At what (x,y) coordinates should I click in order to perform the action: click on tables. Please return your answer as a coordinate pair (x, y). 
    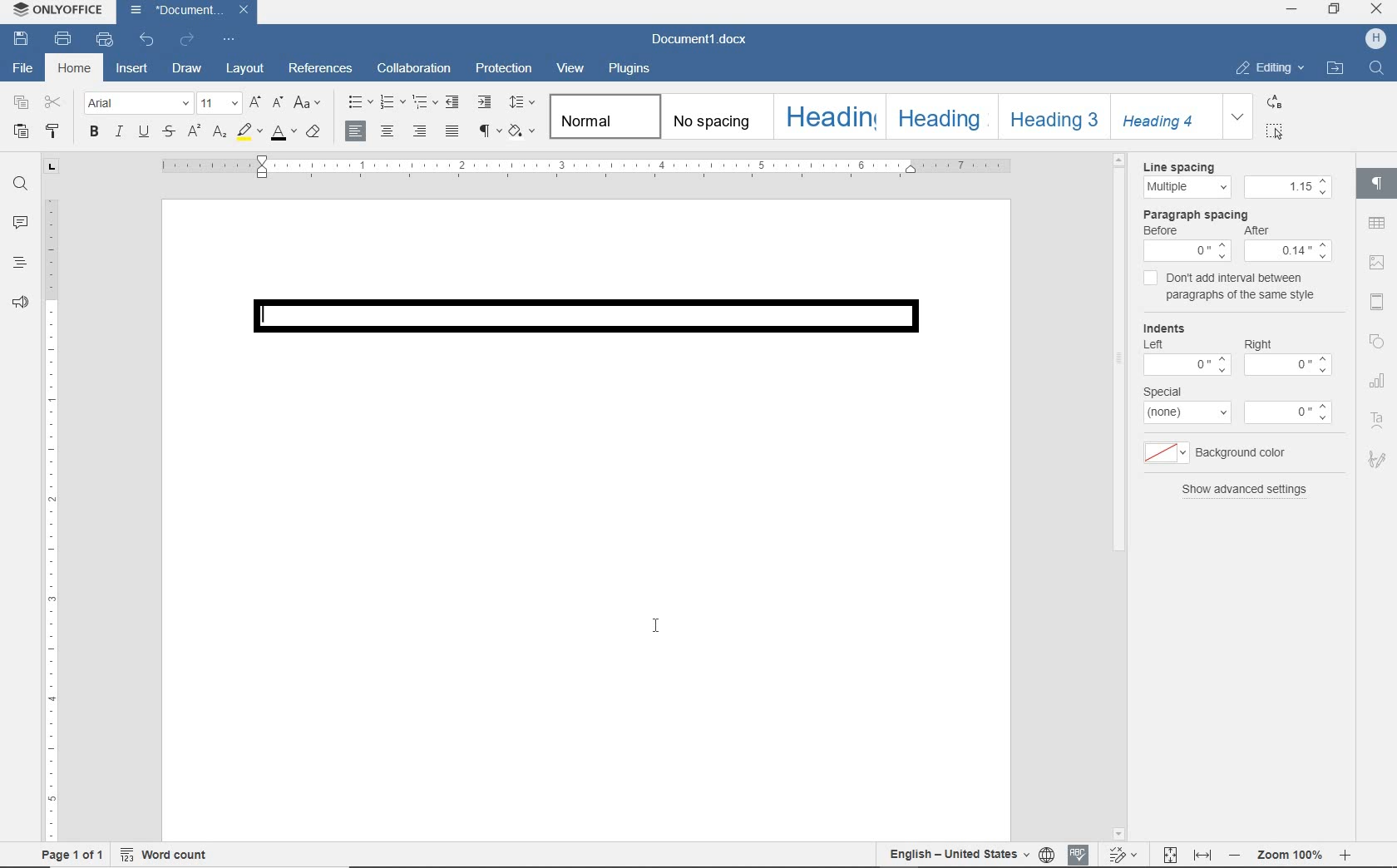
    Looking at the image, I should click on (1377, 223).